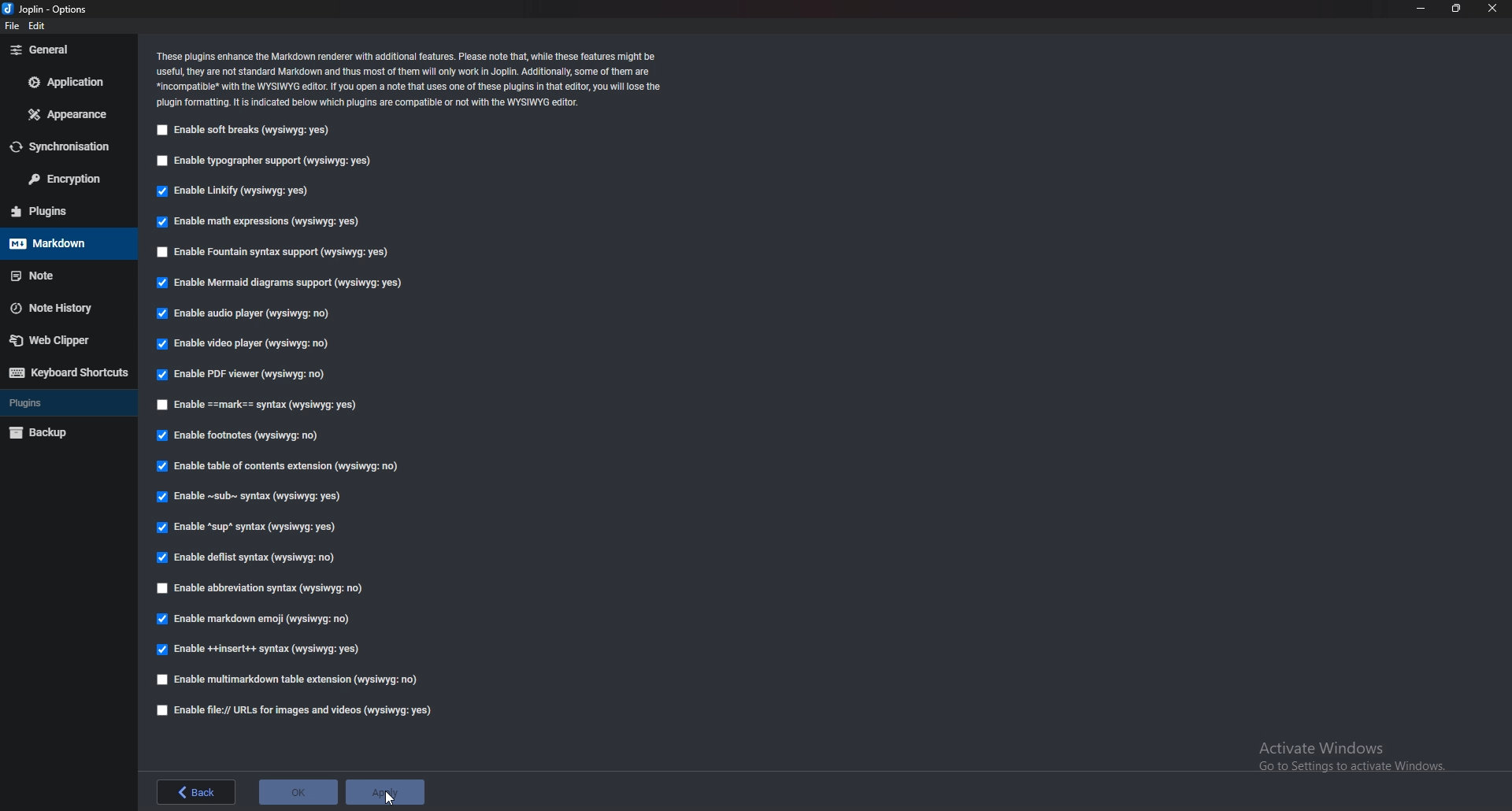  I want to click on Synchronization, so click(62, 148).